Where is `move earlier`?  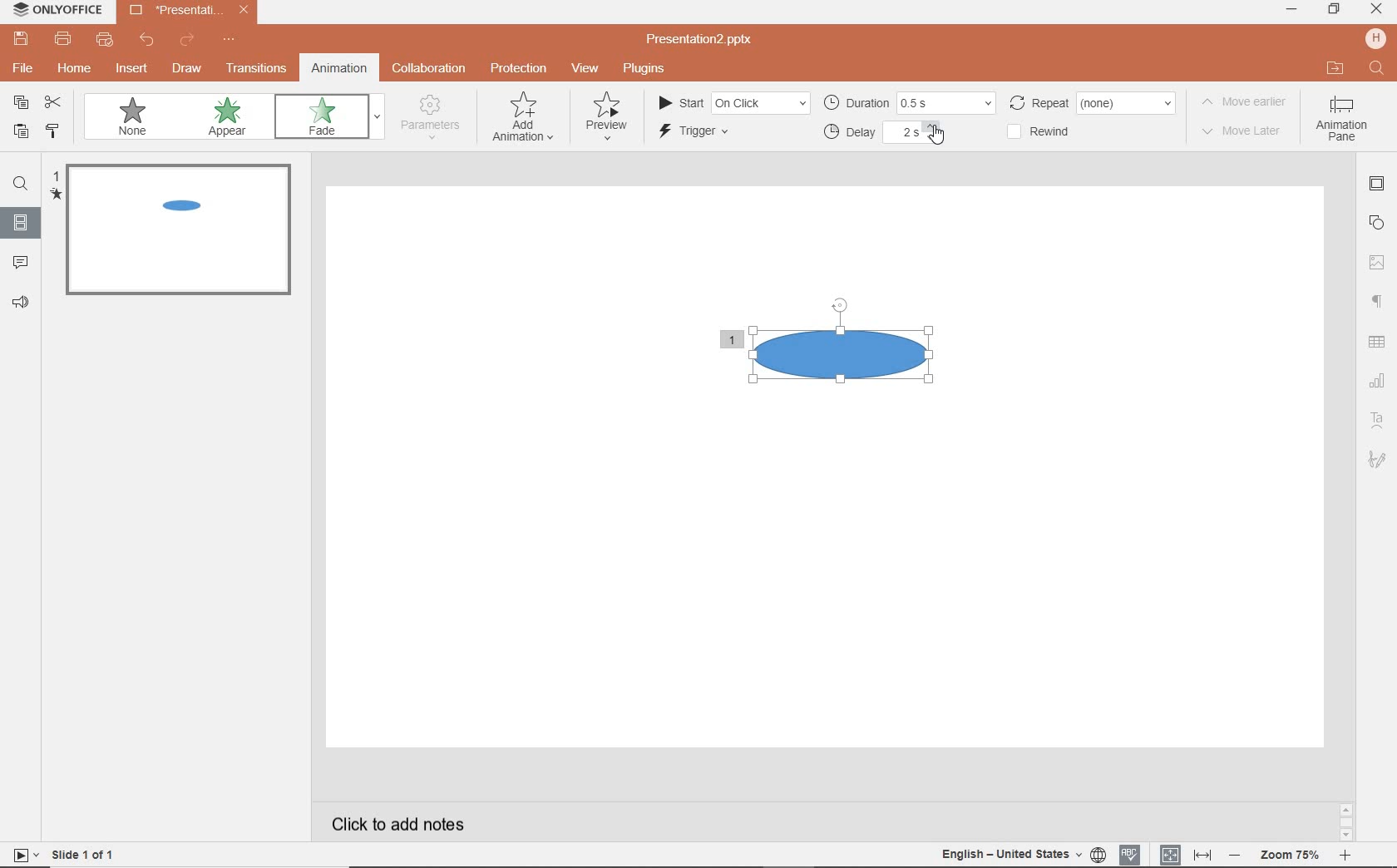 move earlier is located at coordinates (1246, 102).